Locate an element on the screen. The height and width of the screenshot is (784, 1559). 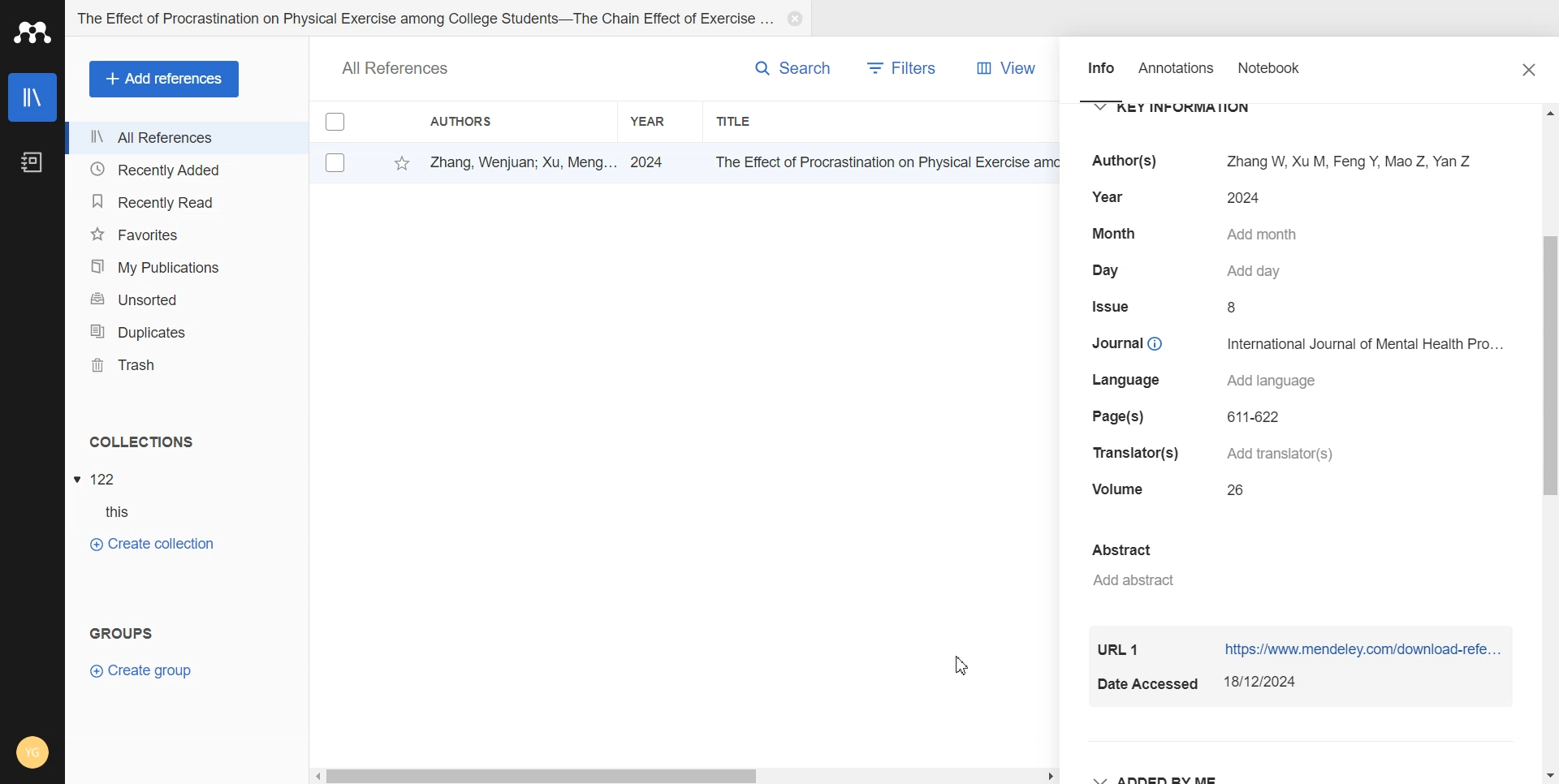
Text is located at coordinates (140, 442).